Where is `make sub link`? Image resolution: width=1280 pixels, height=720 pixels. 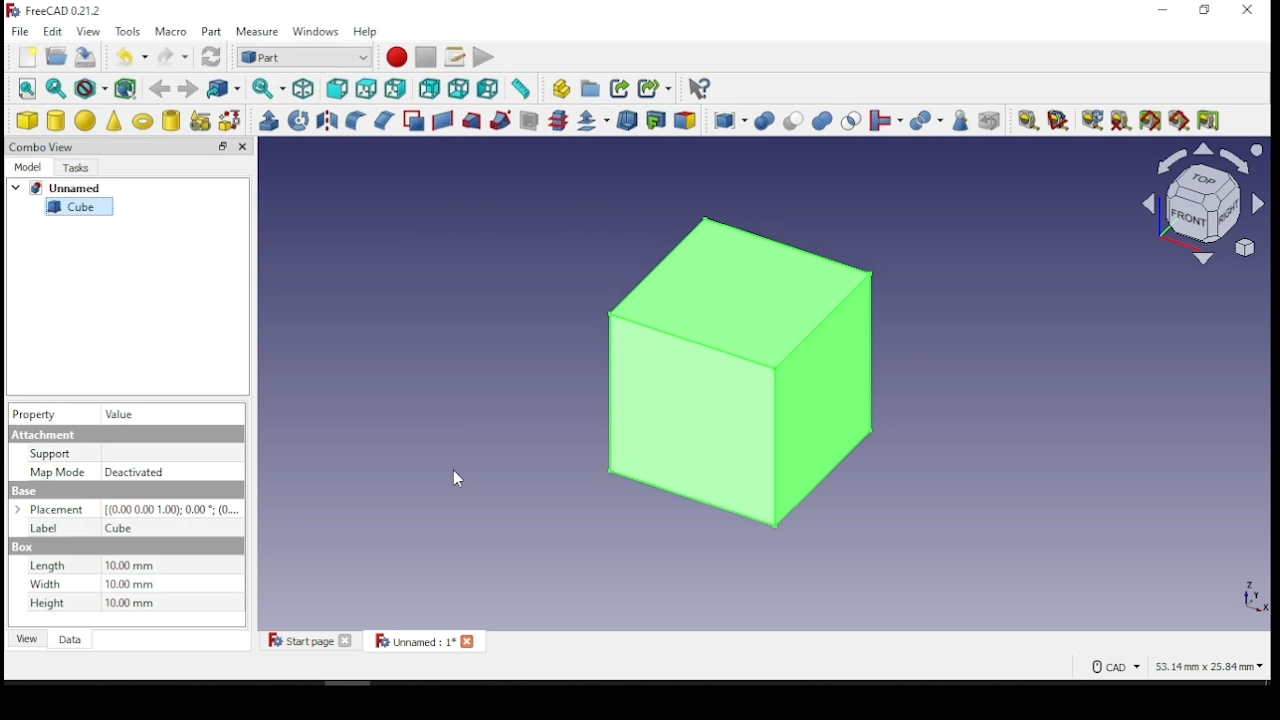 make sub link is located at coordinates (655, 89).